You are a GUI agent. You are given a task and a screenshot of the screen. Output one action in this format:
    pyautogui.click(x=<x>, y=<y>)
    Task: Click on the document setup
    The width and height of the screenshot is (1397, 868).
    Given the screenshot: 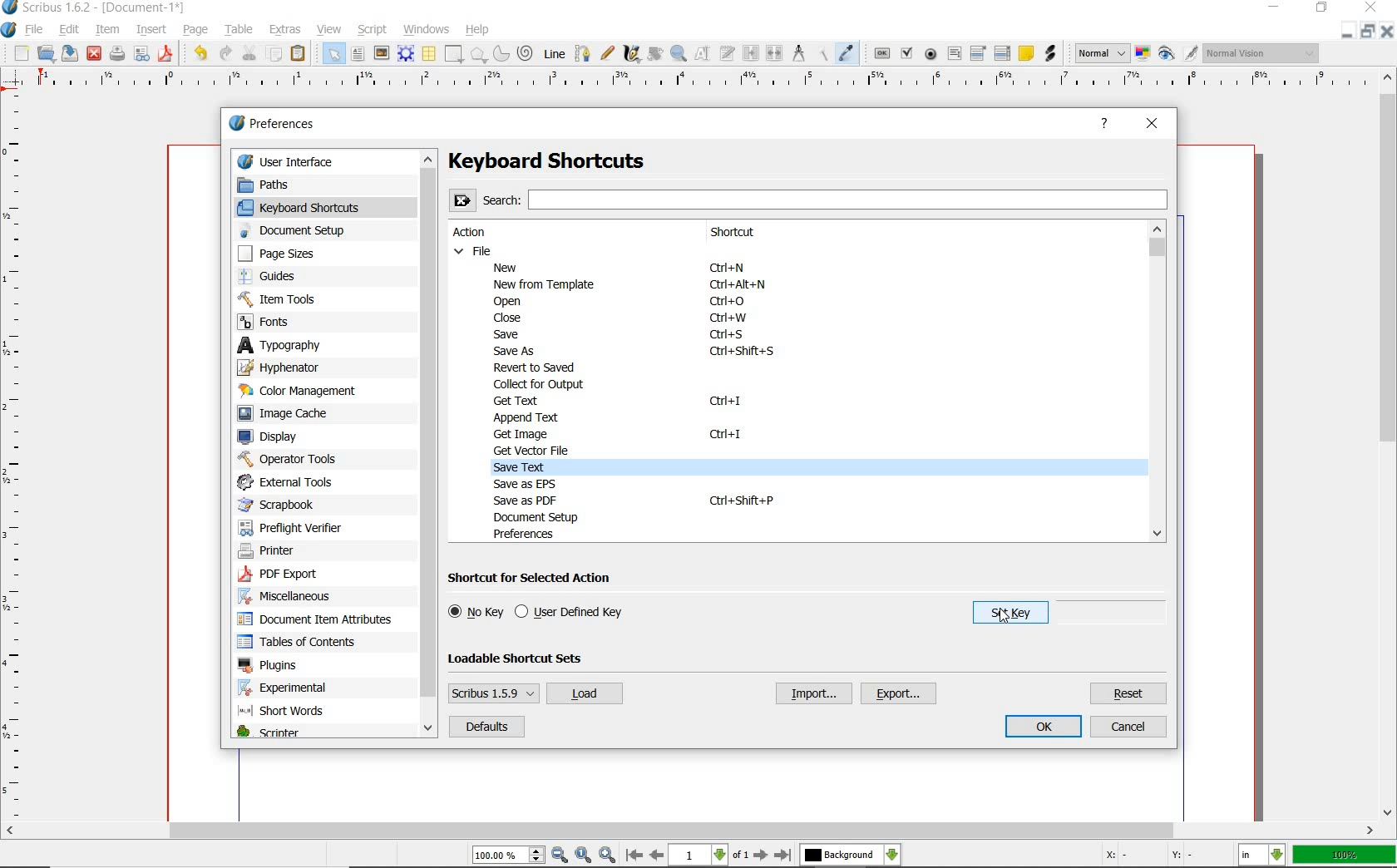 What is the action you would take?
    pyautogui.click(x=304, y=230)
    